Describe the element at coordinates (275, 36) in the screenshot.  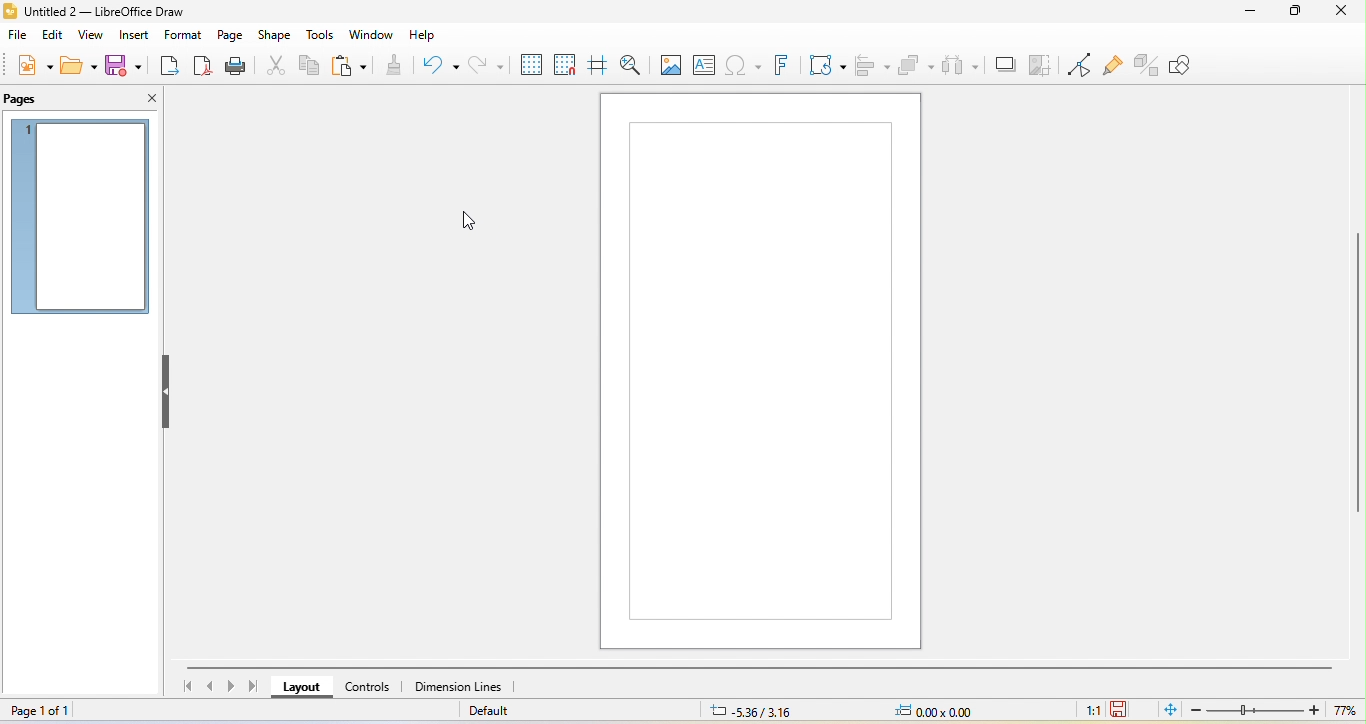
I see `shape` at that location.